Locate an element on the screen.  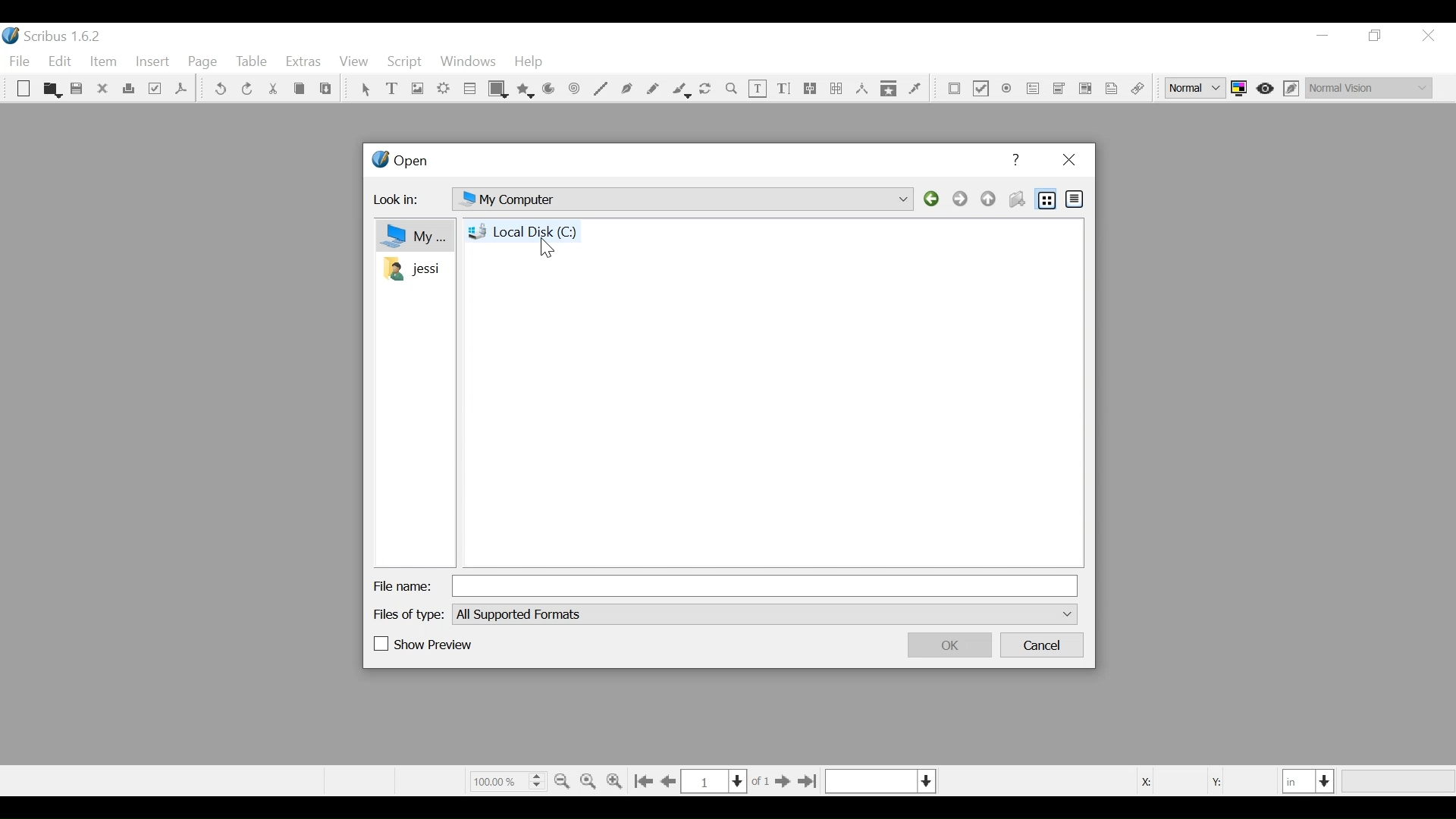
PDF Push Button is located at coordinates (955, 89).